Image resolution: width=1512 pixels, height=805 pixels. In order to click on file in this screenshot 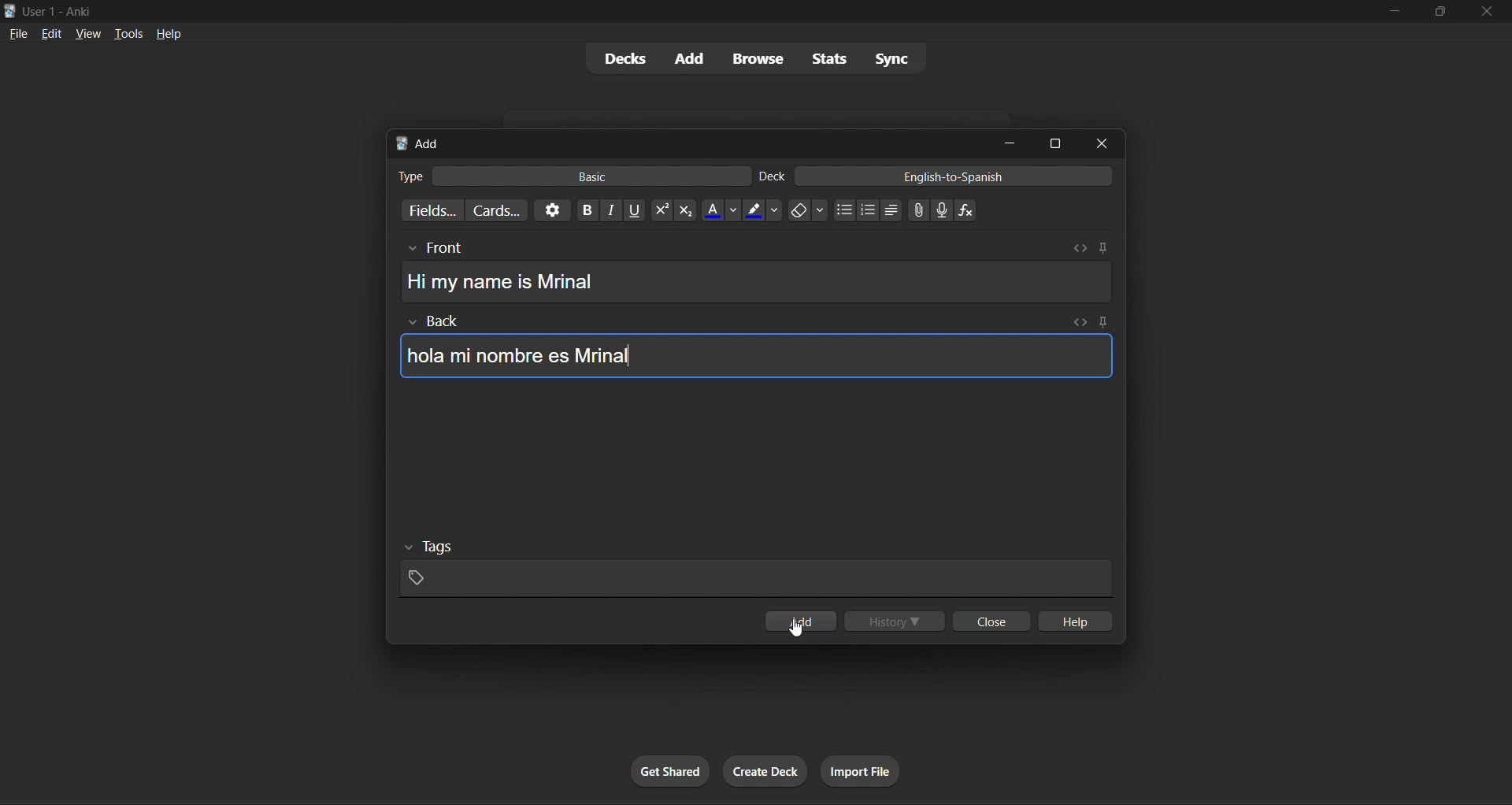, I will do `click(17, 32)`.